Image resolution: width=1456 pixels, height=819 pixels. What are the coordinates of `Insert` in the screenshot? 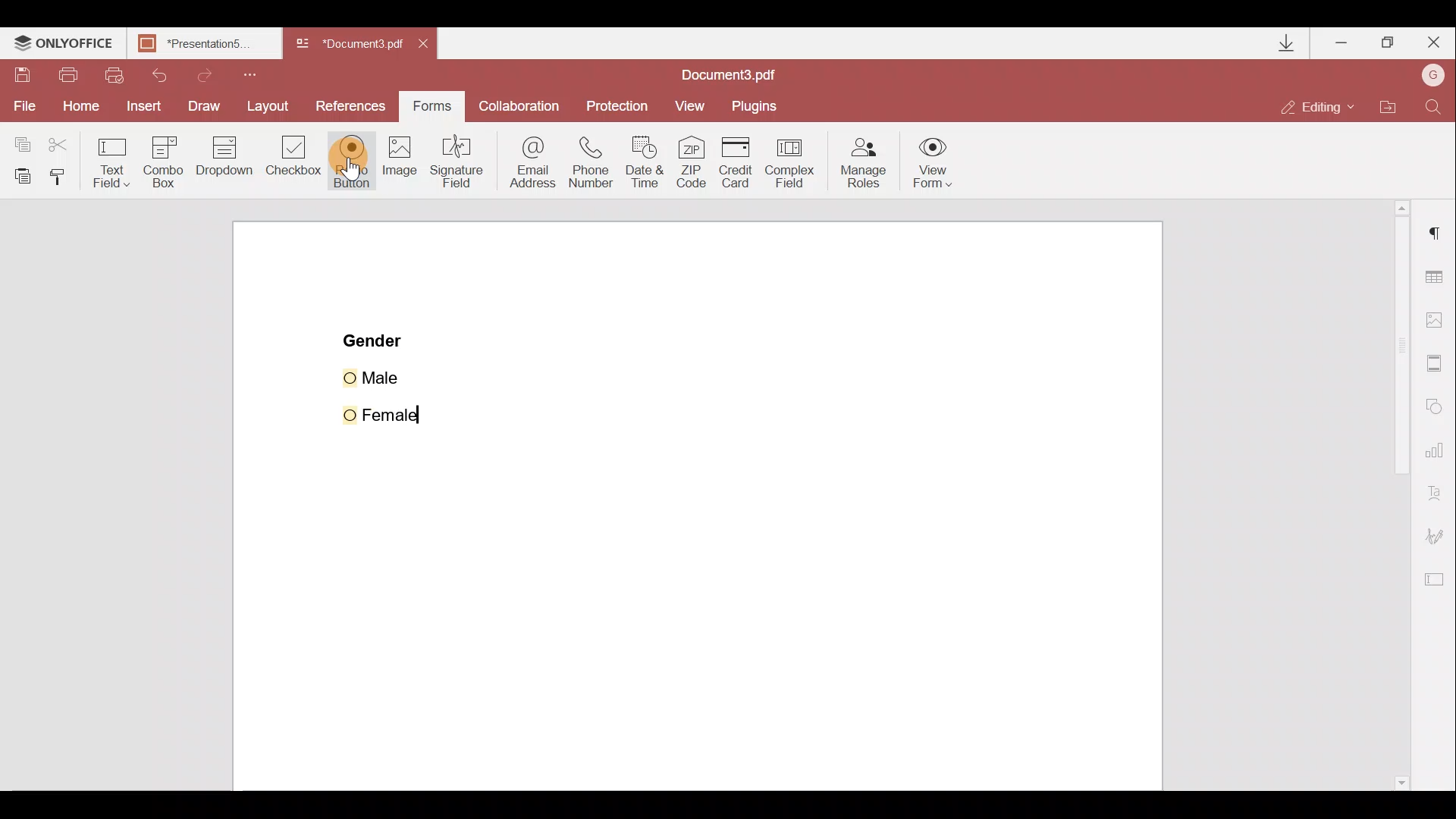 It's located at (142, 108).